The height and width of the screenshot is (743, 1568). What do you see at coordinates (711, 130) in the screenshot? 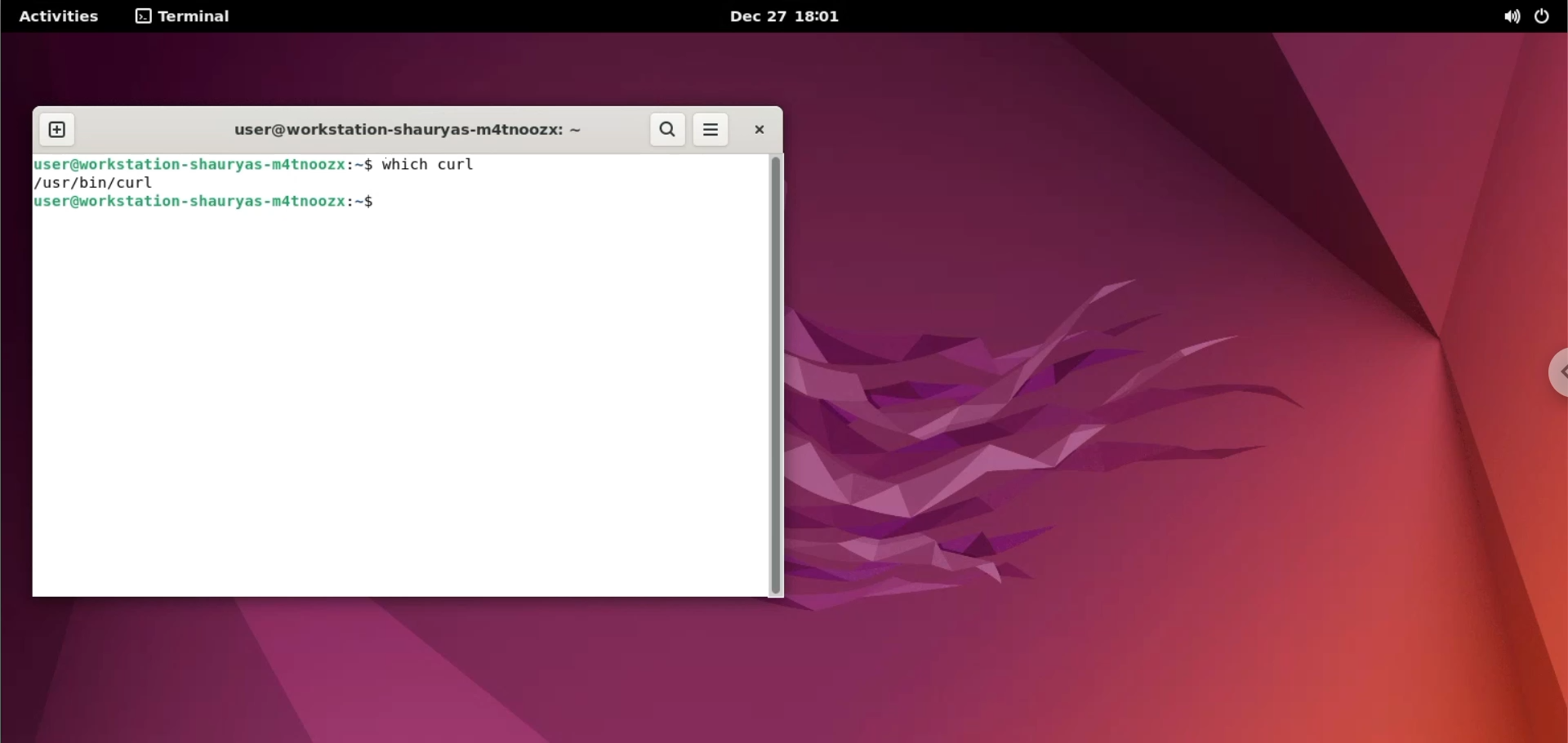
I see `menu` at bounding box center [711, 130].